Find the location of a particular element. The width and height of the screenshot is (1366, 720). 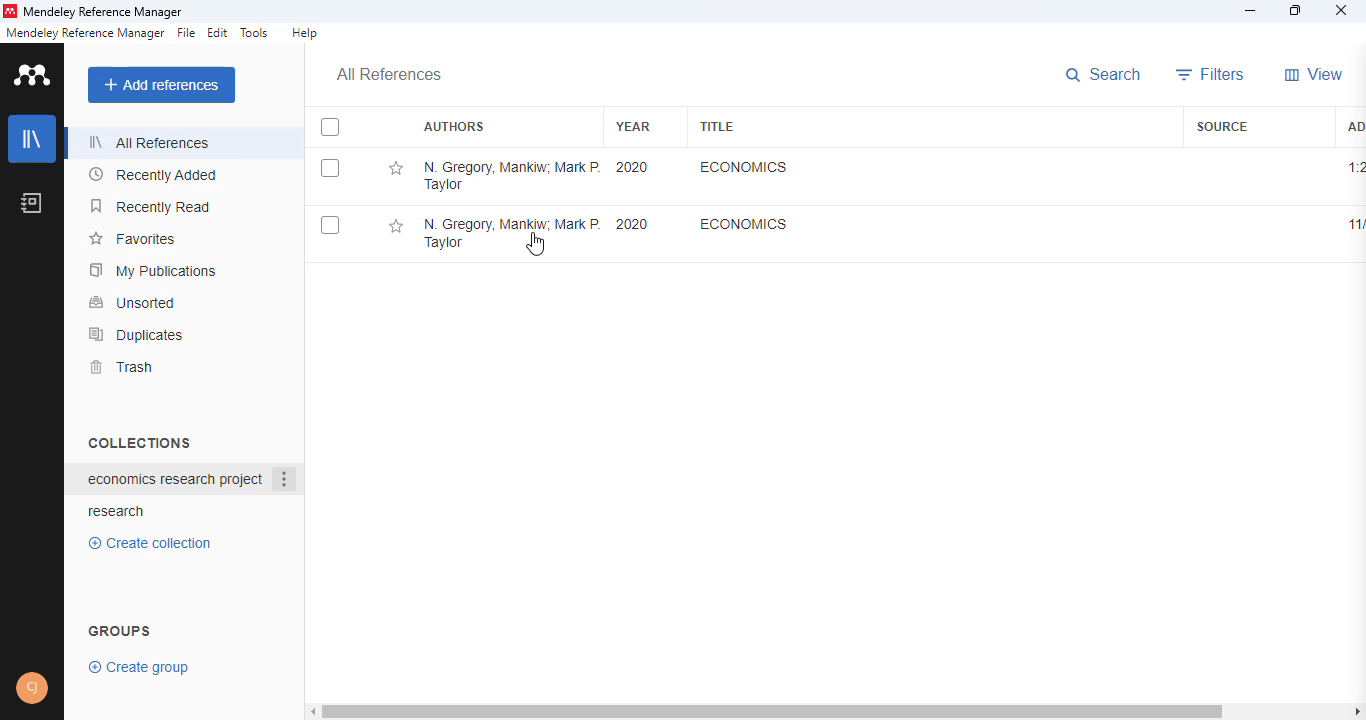

groups is located at coordinates (121, 629).